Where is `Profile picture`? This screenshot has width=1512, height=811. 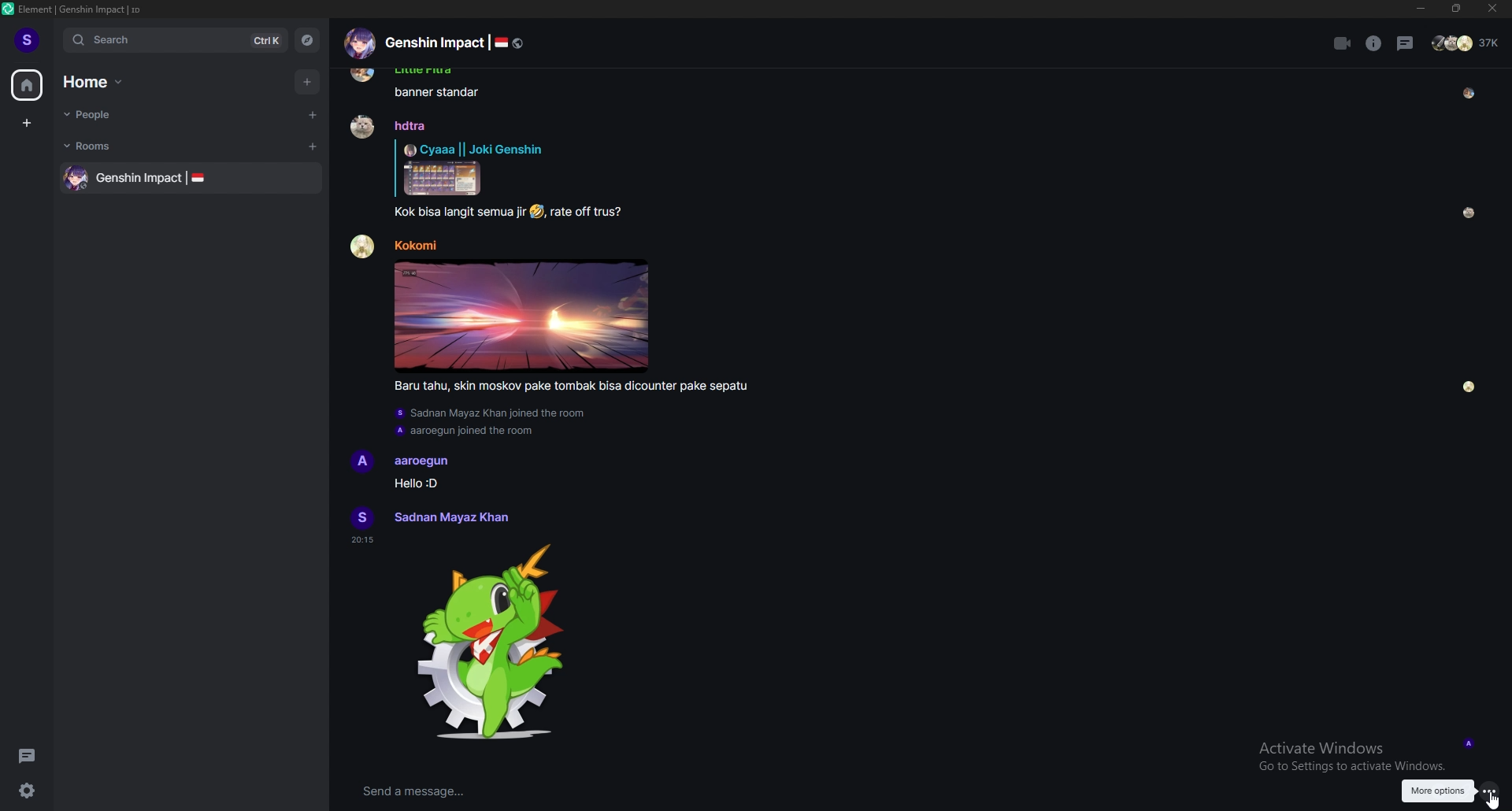 Profile picture is located at coordinates (363, 246).